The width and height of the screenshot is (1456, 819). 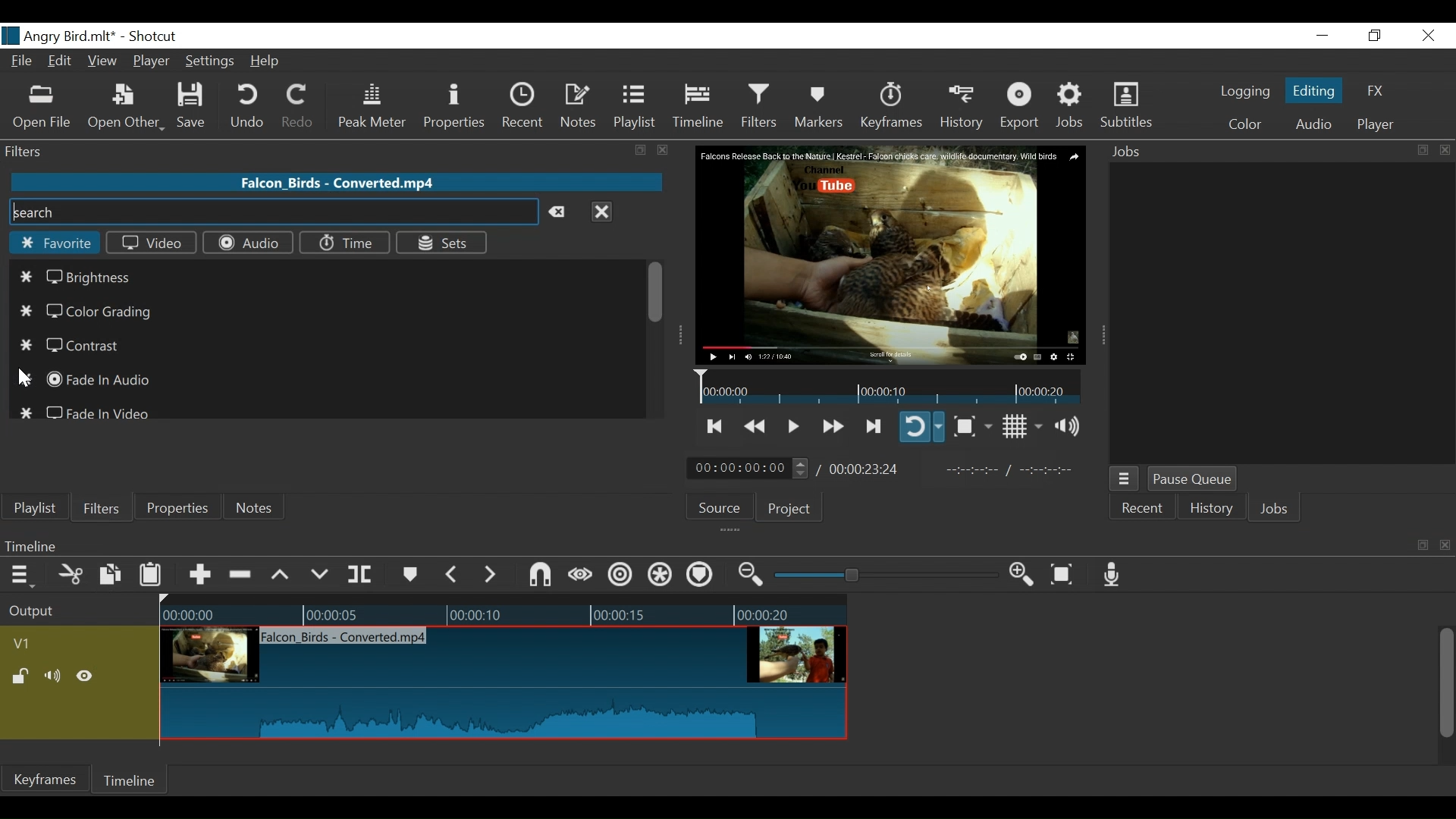 I want to click on Play backward quickly, so click(x=757, y=427).